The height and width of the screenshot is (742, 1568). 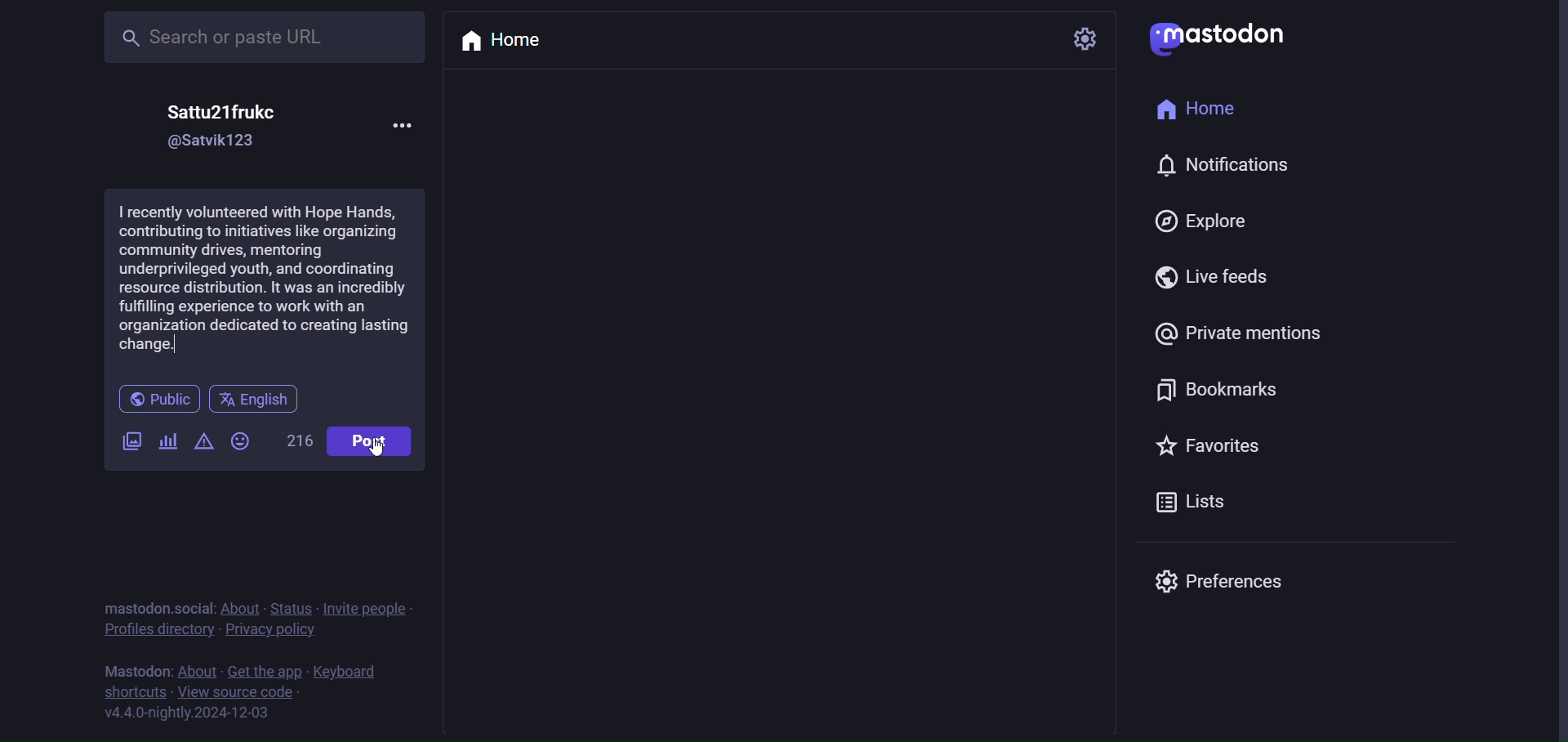 I want to click on public, so click(x=155, y=399).